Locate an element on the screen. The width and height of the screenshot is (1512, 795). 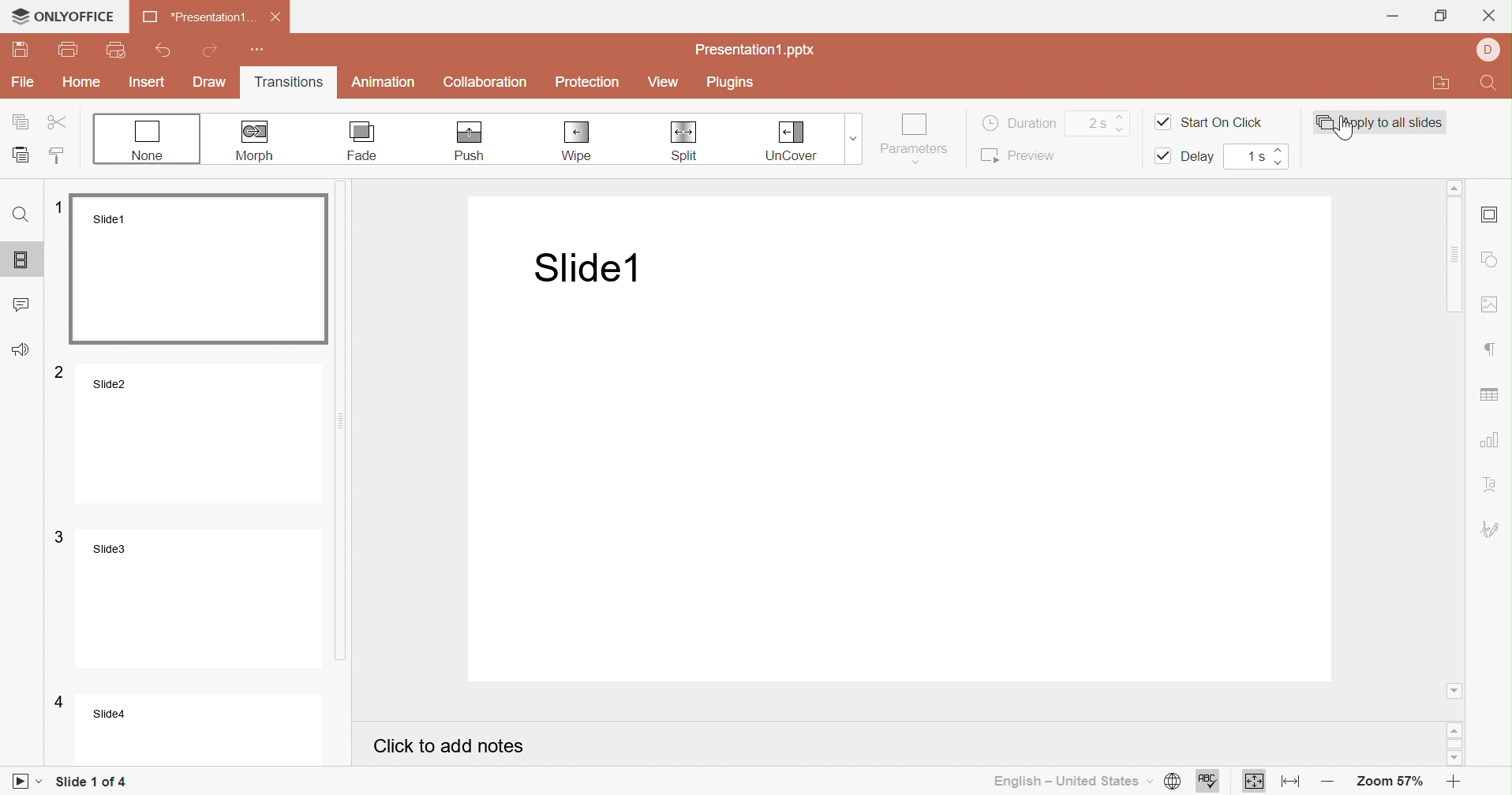
Zoom out is located at coordinates (1333, 779).